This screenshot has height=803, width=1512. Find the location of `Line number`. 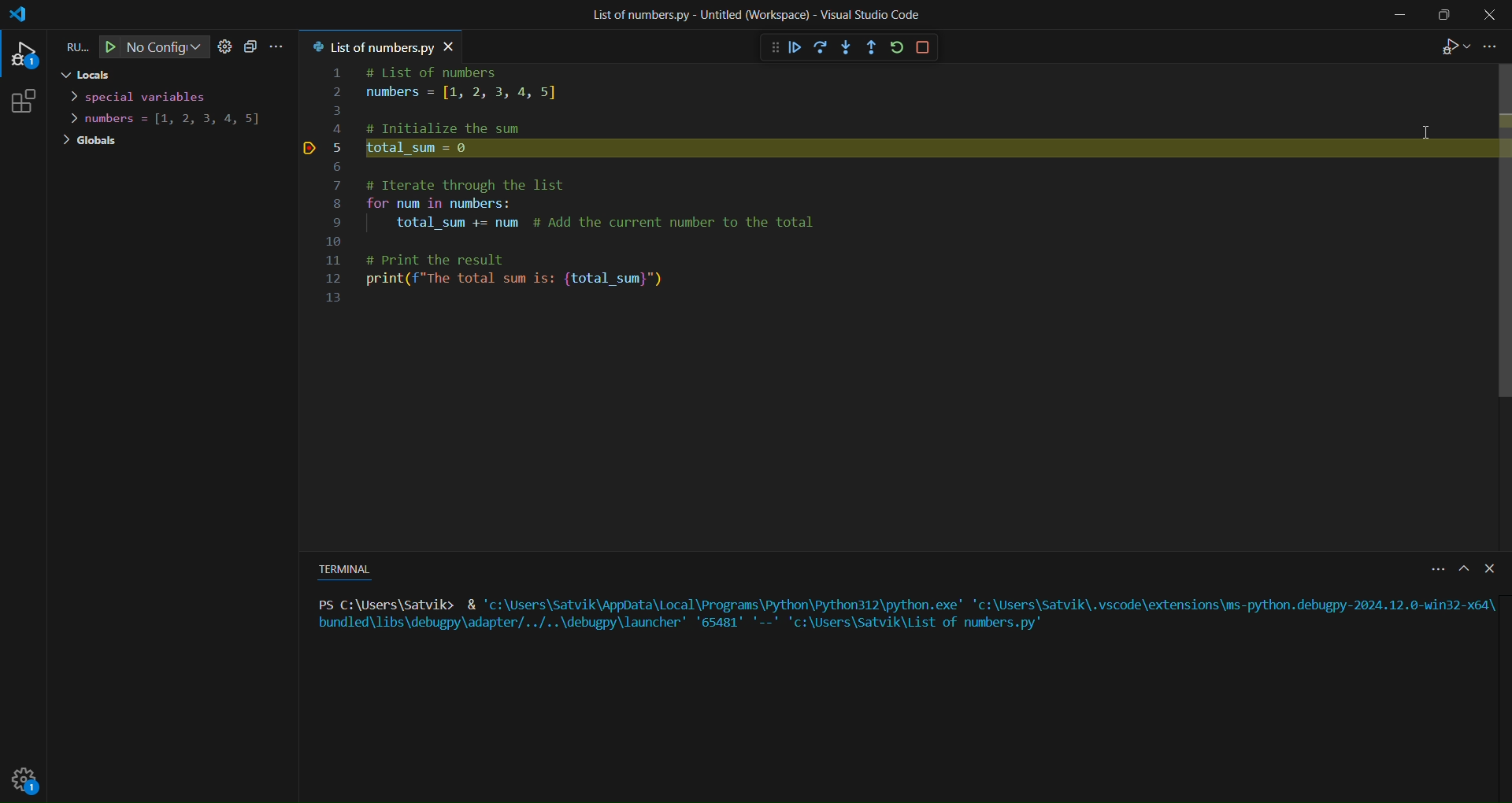

Line number is located at coordinates (337, 180).